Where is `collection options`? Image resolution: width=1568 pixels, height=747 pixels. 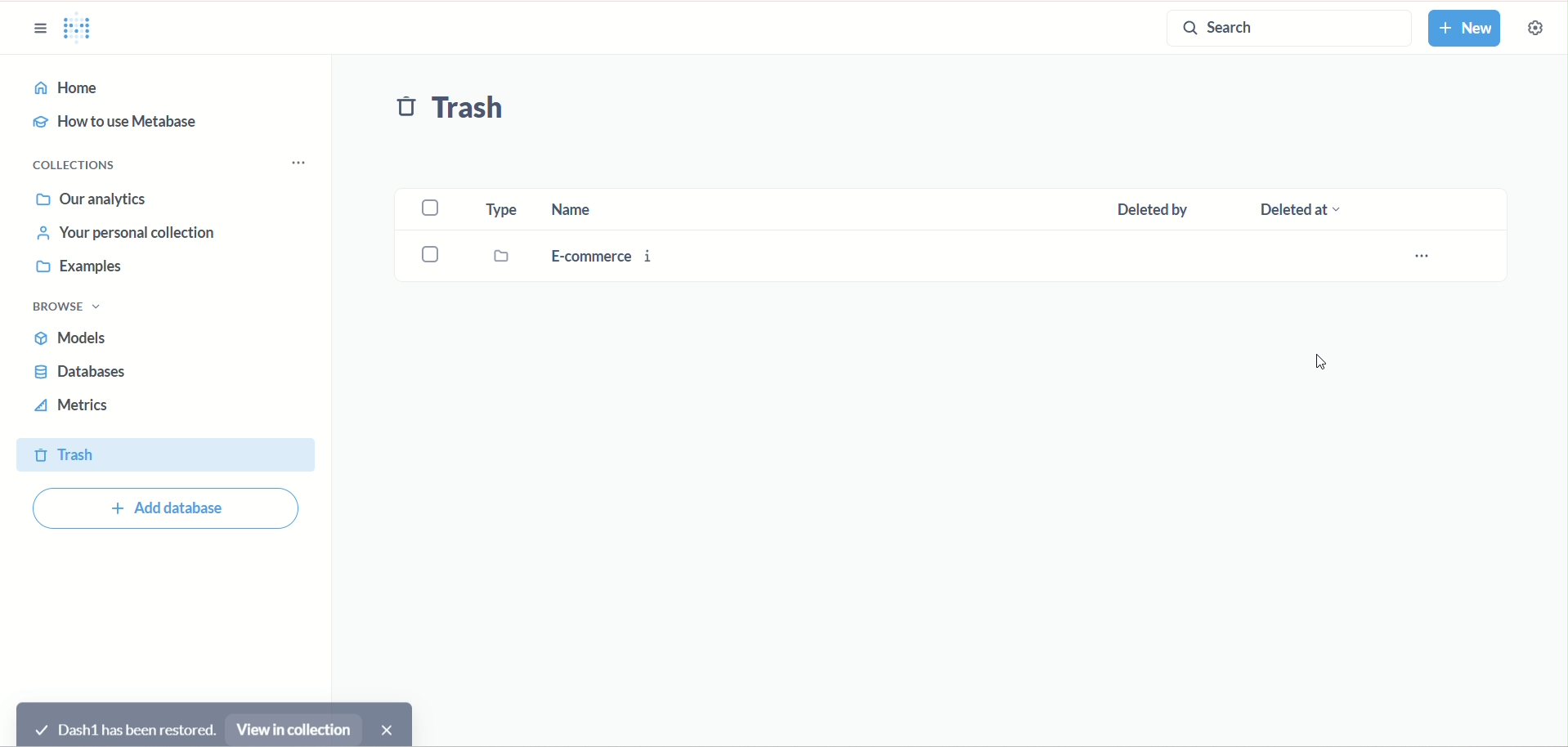
collection options is located at coordinates (305, 158).